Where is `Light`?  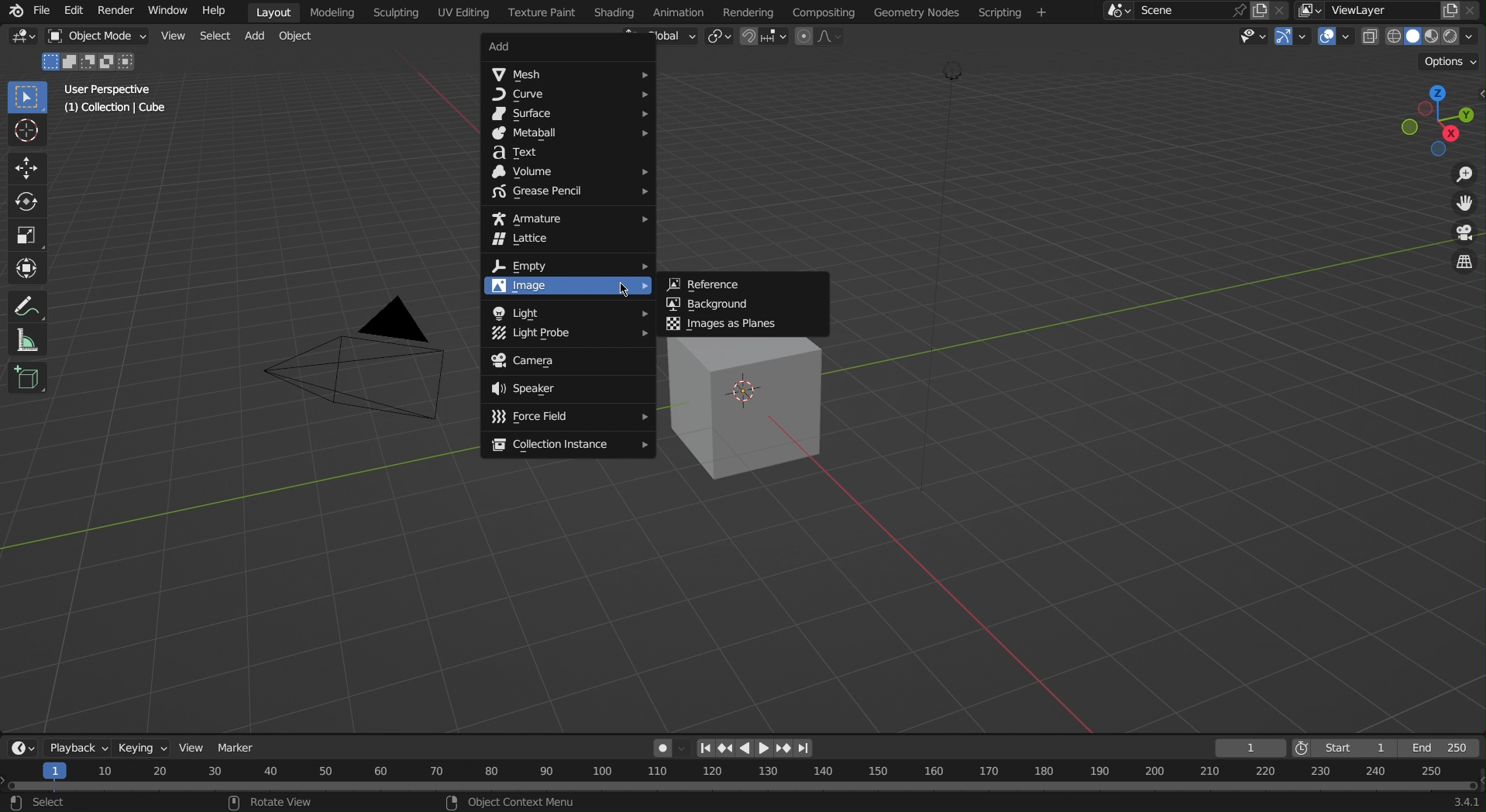
Light is located at coordinates (566, 310).